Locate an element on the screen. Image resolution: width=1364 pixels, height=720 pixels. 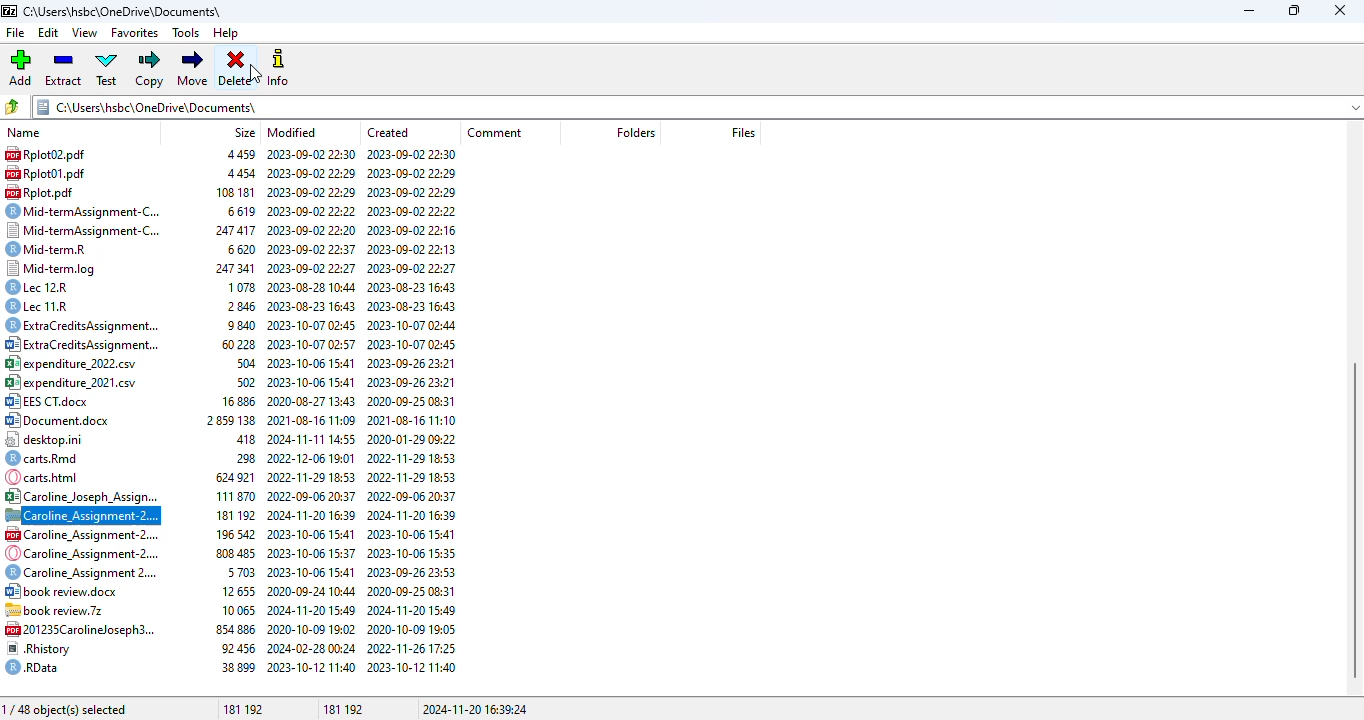
2023-10-07 02:44 is located at coordinates (412, 324).